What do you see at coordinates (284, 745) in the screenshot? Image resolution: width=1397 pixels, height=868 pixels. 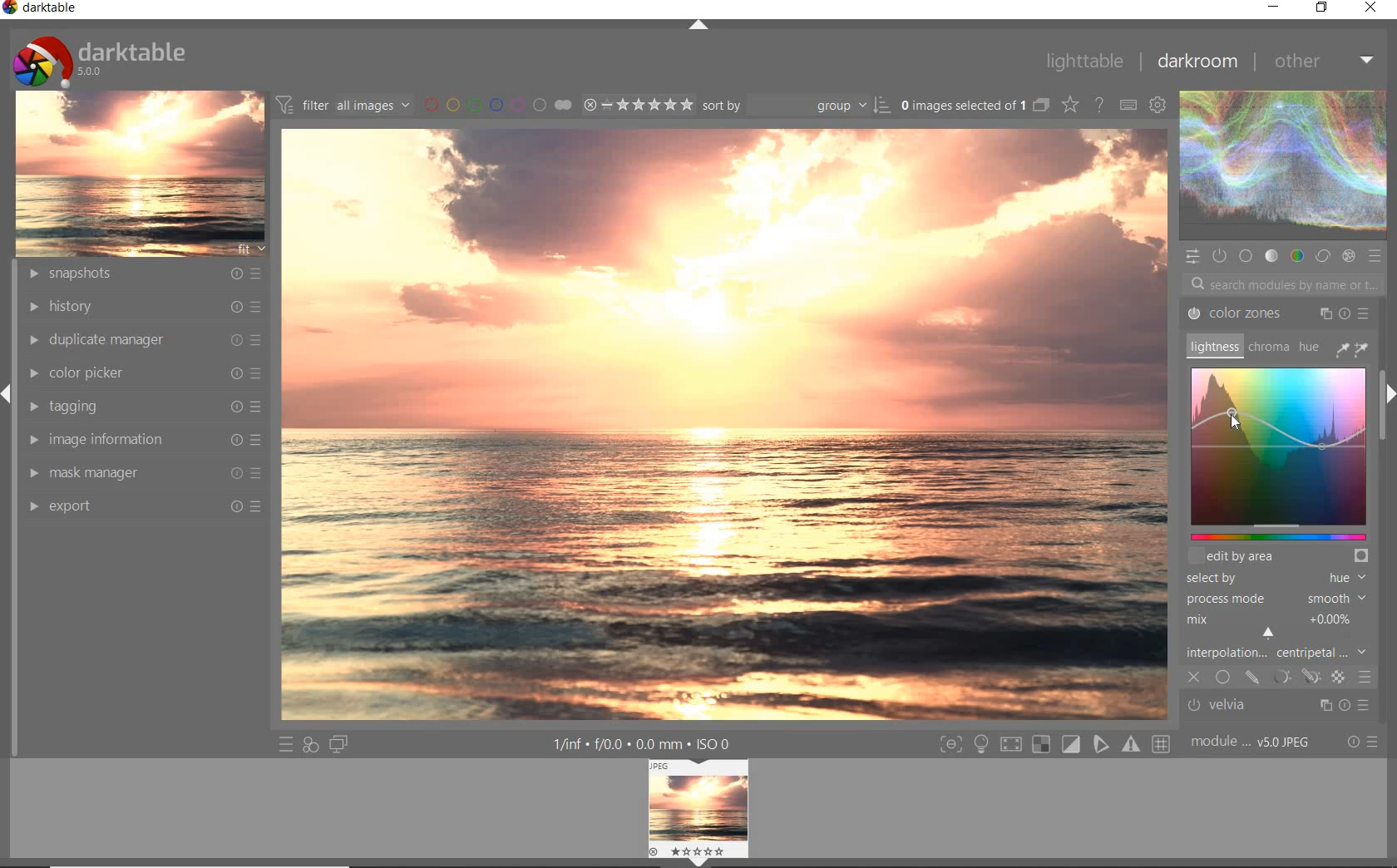 I see `QUICK ACCESS TO PRESET` at bounding box center [284, 745].